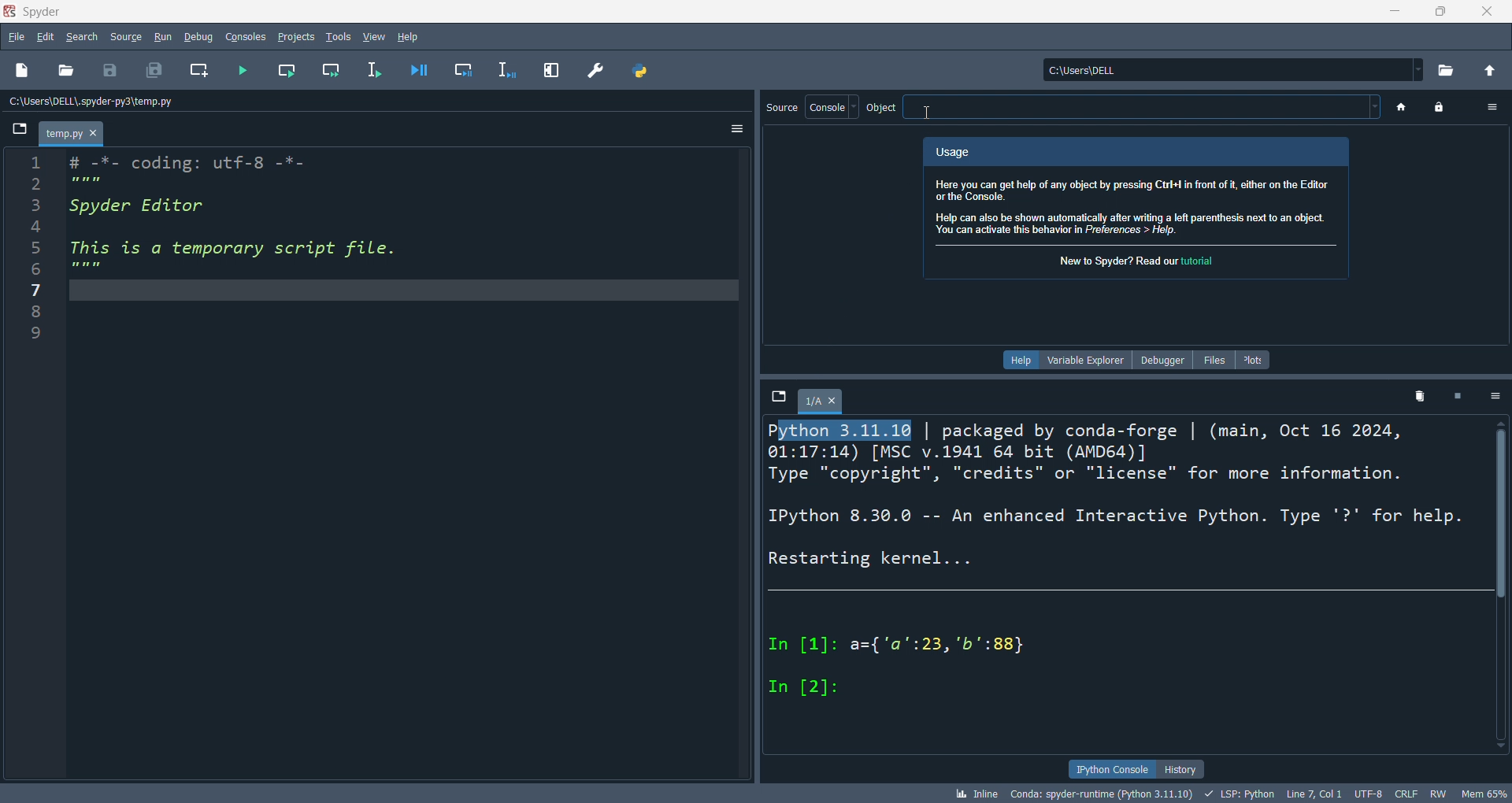  Describe the element at coordinates (548, 68) in the screenshot. I see `expand pane` at that location.